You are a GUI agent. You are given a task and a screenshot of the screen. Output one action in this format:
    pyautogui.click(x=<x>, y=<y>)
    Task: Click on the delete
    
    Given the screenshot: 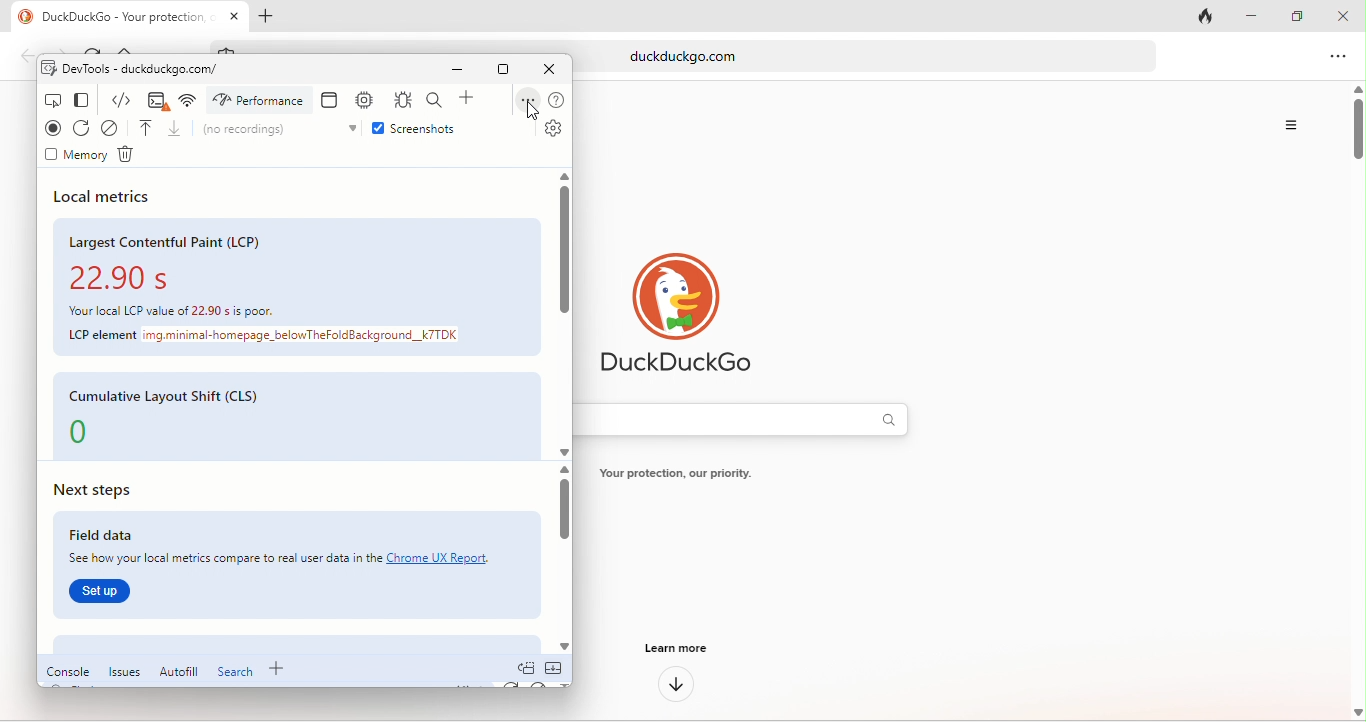 What is the action you would take?
    pyautogui.click(x=127, y=152)
    